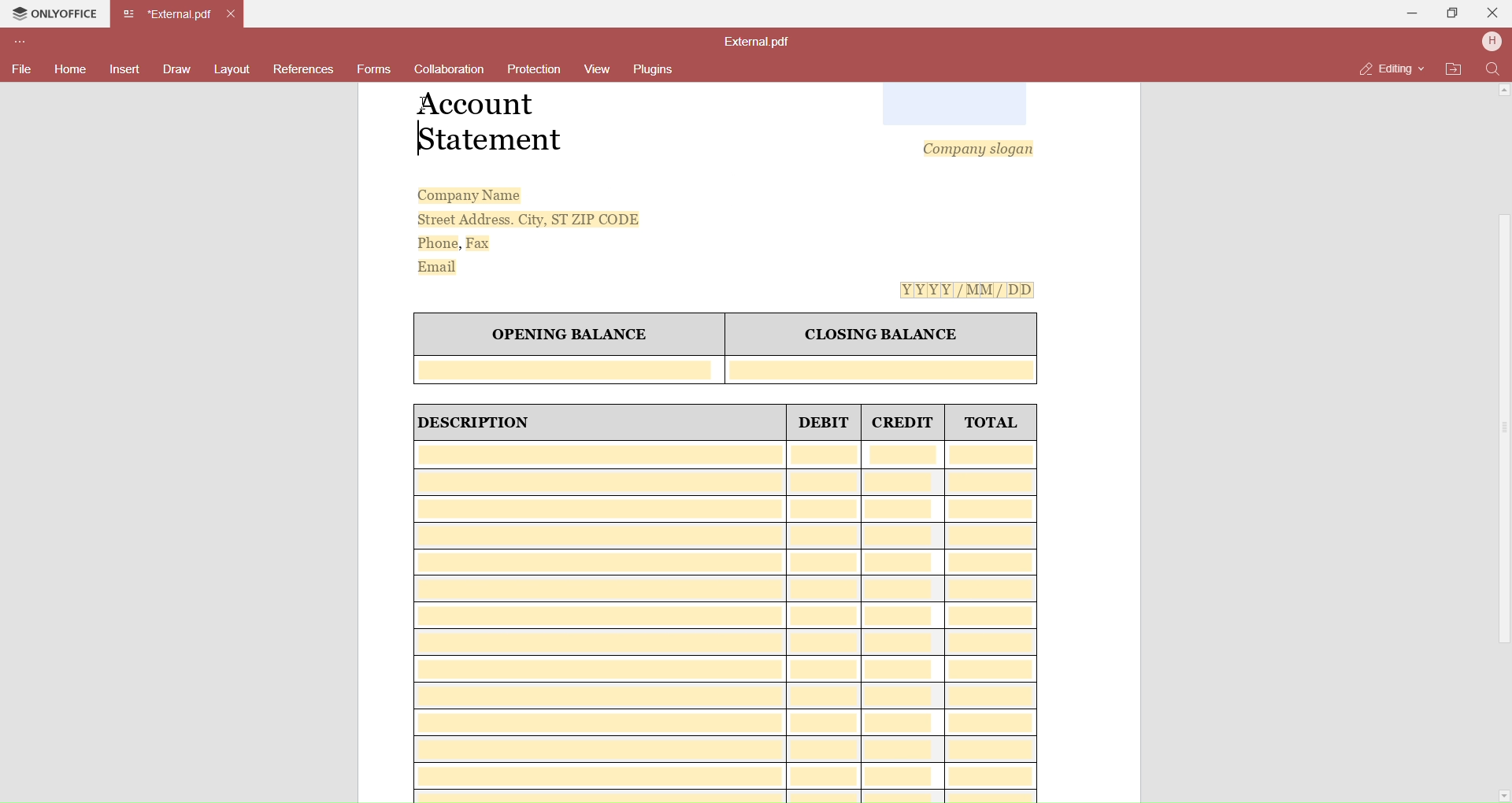 This screenshot has height=803, width=1512. Describe the element at coordinates (303, 72) in the screenshot. I see `References` at that location.